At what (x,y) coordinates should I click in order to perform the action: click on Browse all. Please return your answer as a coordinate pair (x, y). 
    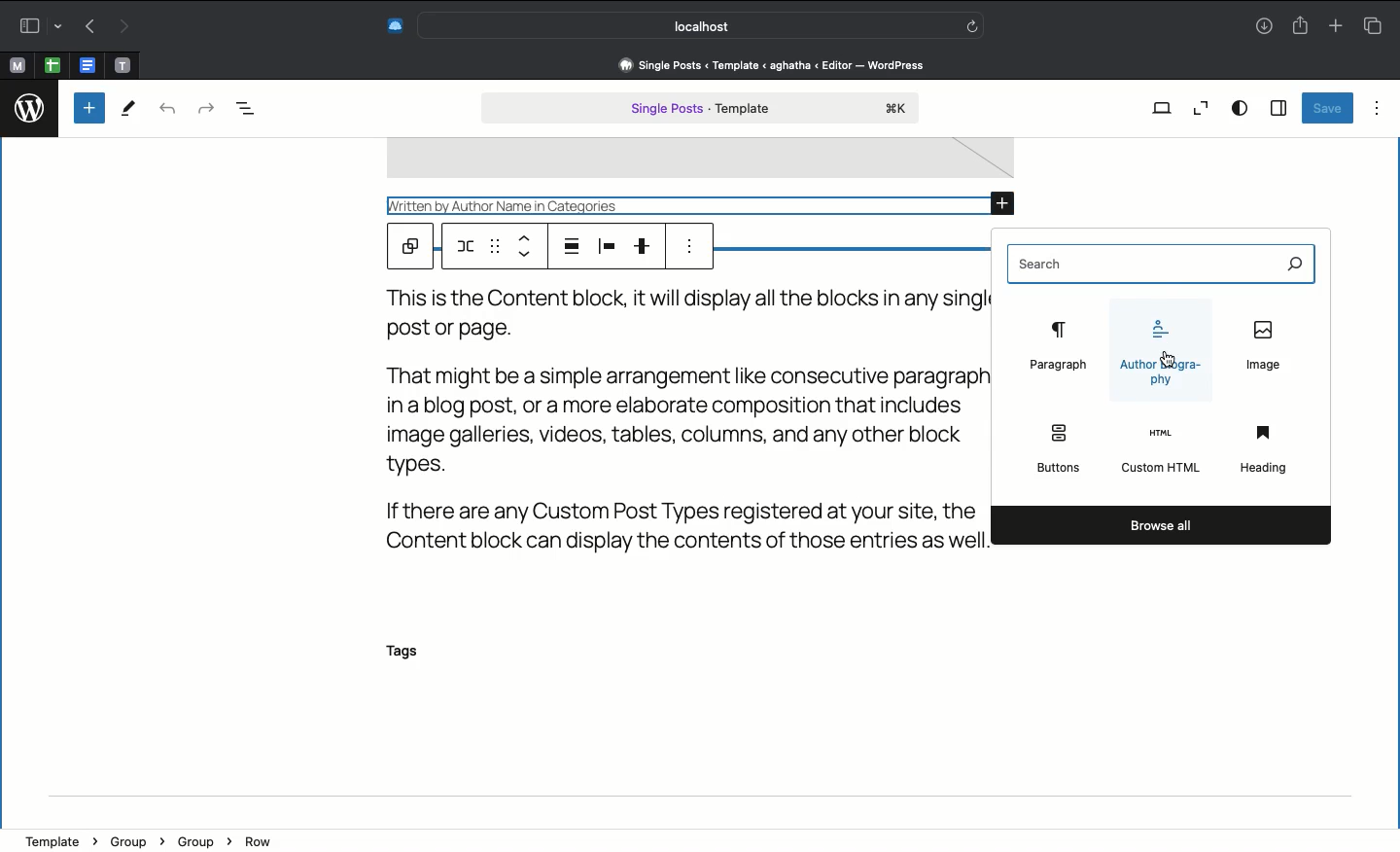
    Looking at the image, I should click on (1163, 524).